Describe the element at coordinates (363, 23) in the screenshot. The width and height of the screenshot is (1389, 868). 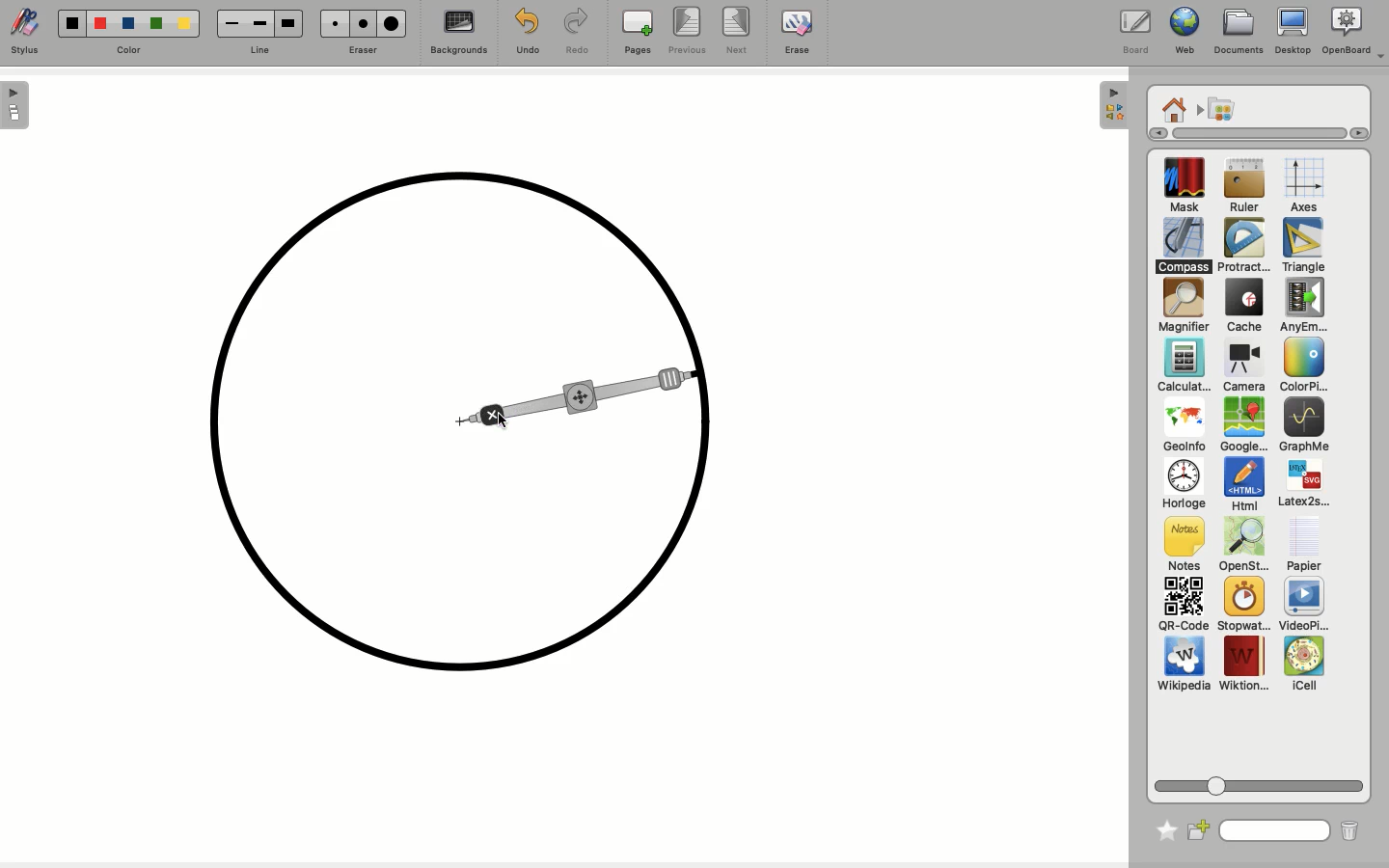
I see `eraser2` at that location.